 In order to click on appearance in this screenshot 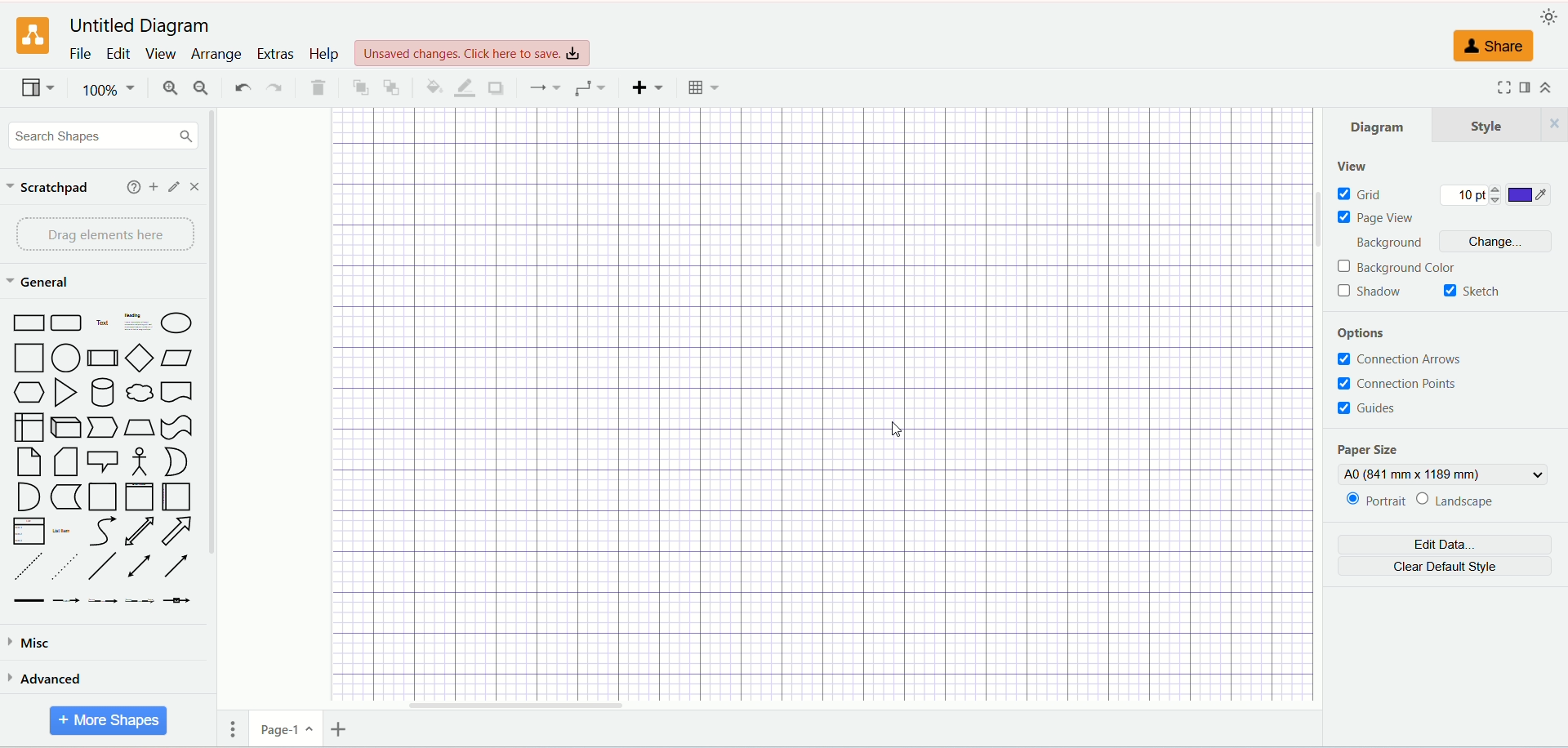, I will do `click(1550, 17)`.